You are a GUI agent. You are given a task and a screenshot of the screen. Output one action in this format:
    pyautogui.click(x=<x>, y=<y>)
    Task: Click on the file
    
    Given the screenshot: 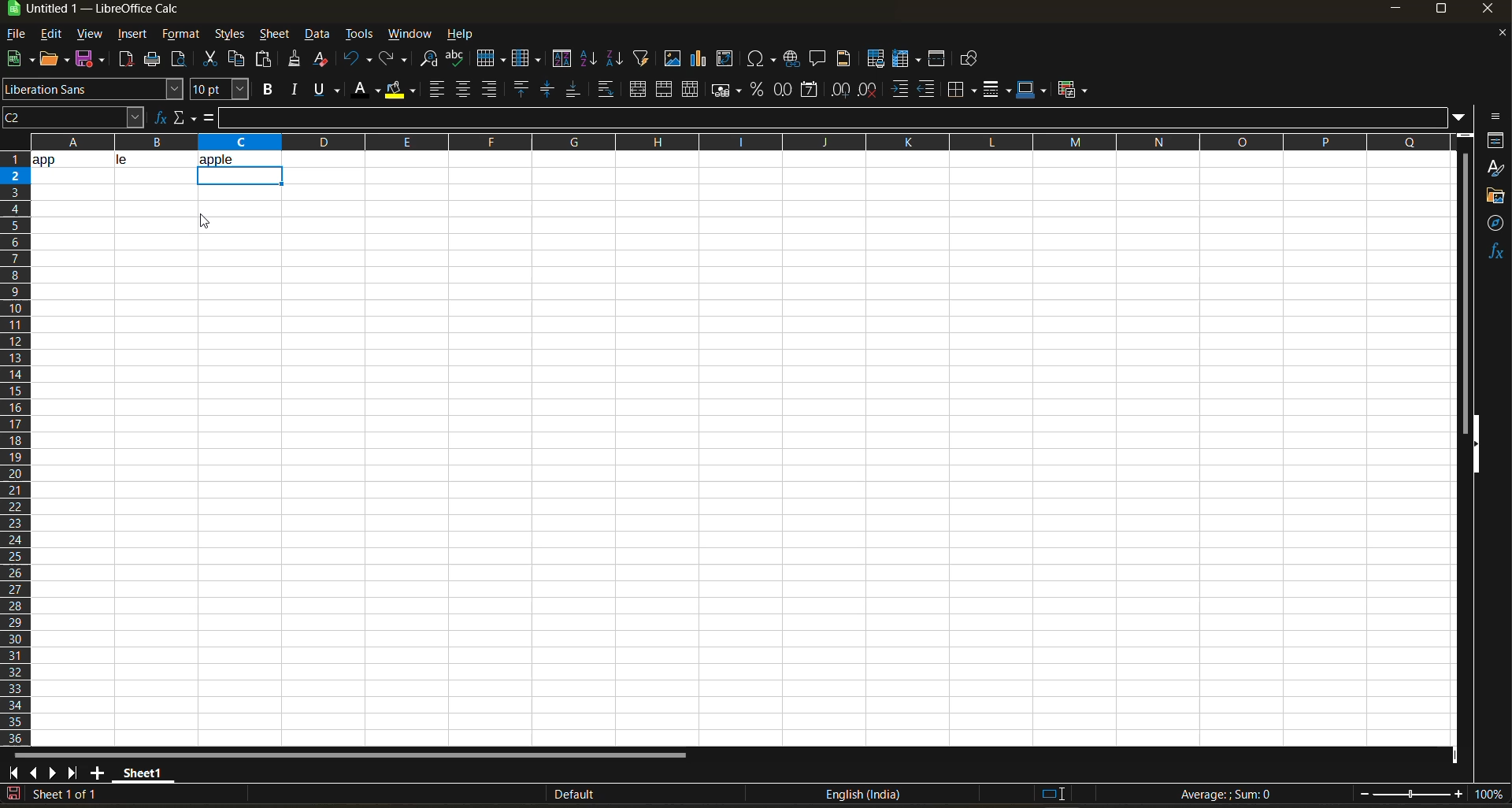 What is the action you would take?
    pyautogui.click(x=21, y=35)
    